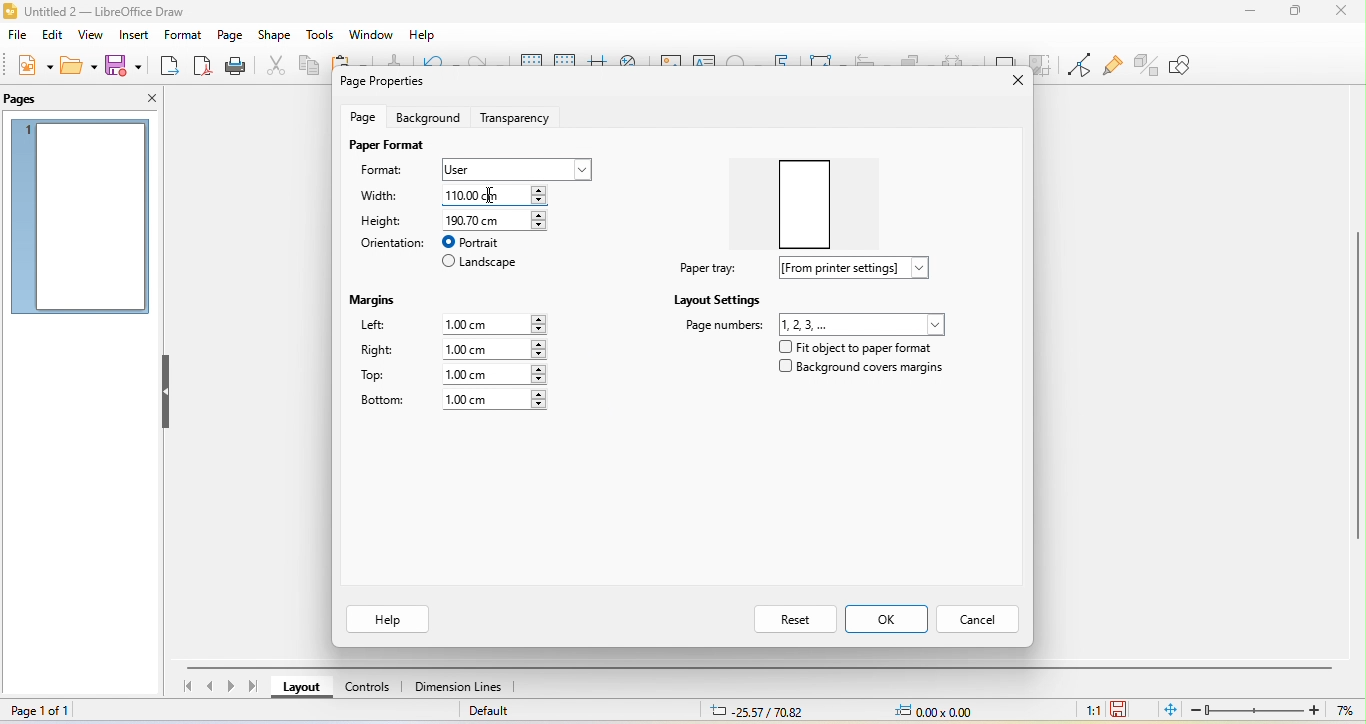 This screenshot has height=724, width=1366. What do you see at coordinates (31, 99) in the screenshot?
I see `pages` at bounding box center [31, 99].